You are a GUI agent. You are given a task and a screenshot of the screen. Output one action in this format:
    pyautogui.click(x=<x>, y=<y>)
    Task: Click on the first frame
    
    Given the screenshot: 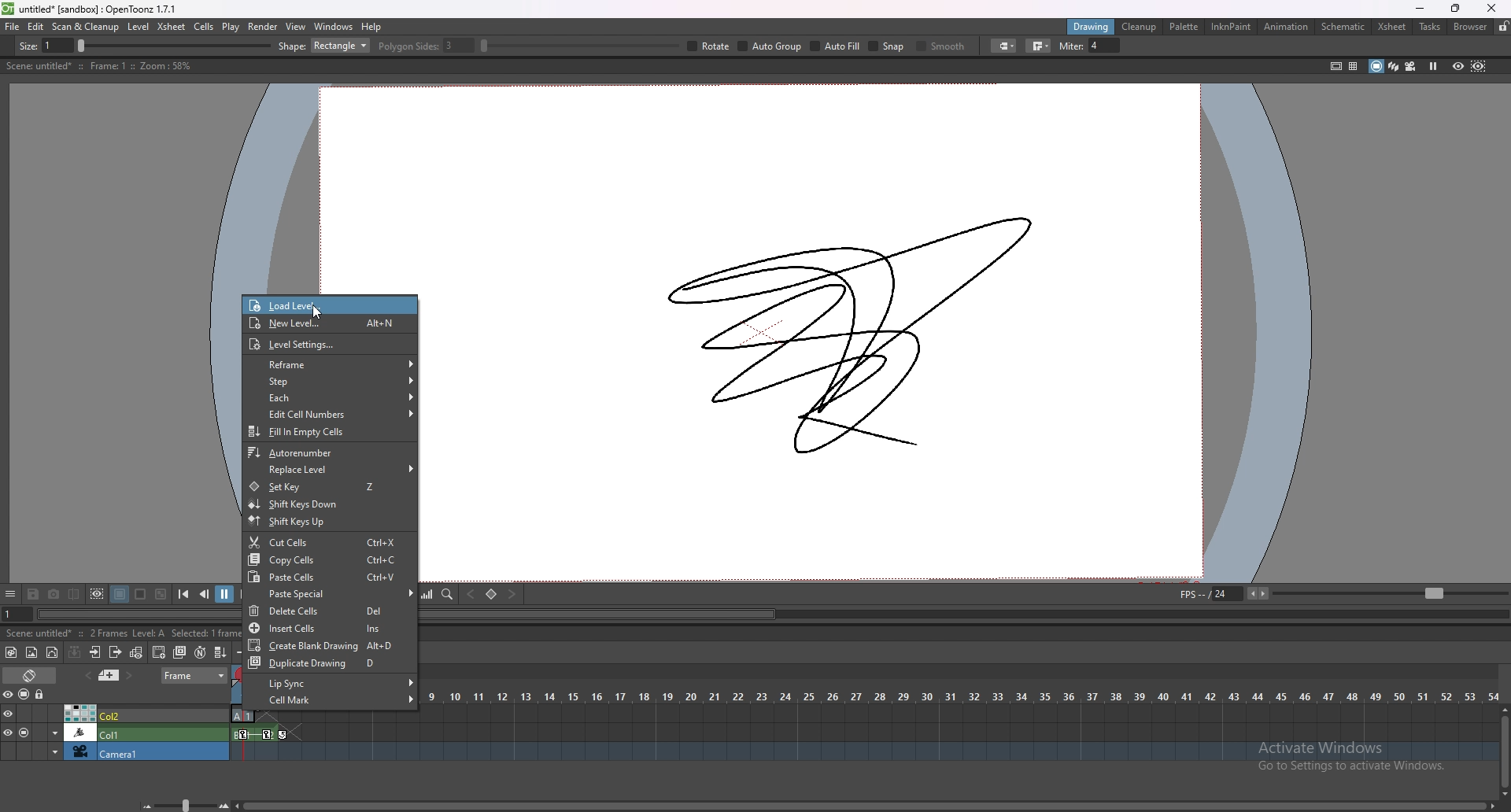 What is the action you would take?
    pyautogui.click(x=183, y=594)
    